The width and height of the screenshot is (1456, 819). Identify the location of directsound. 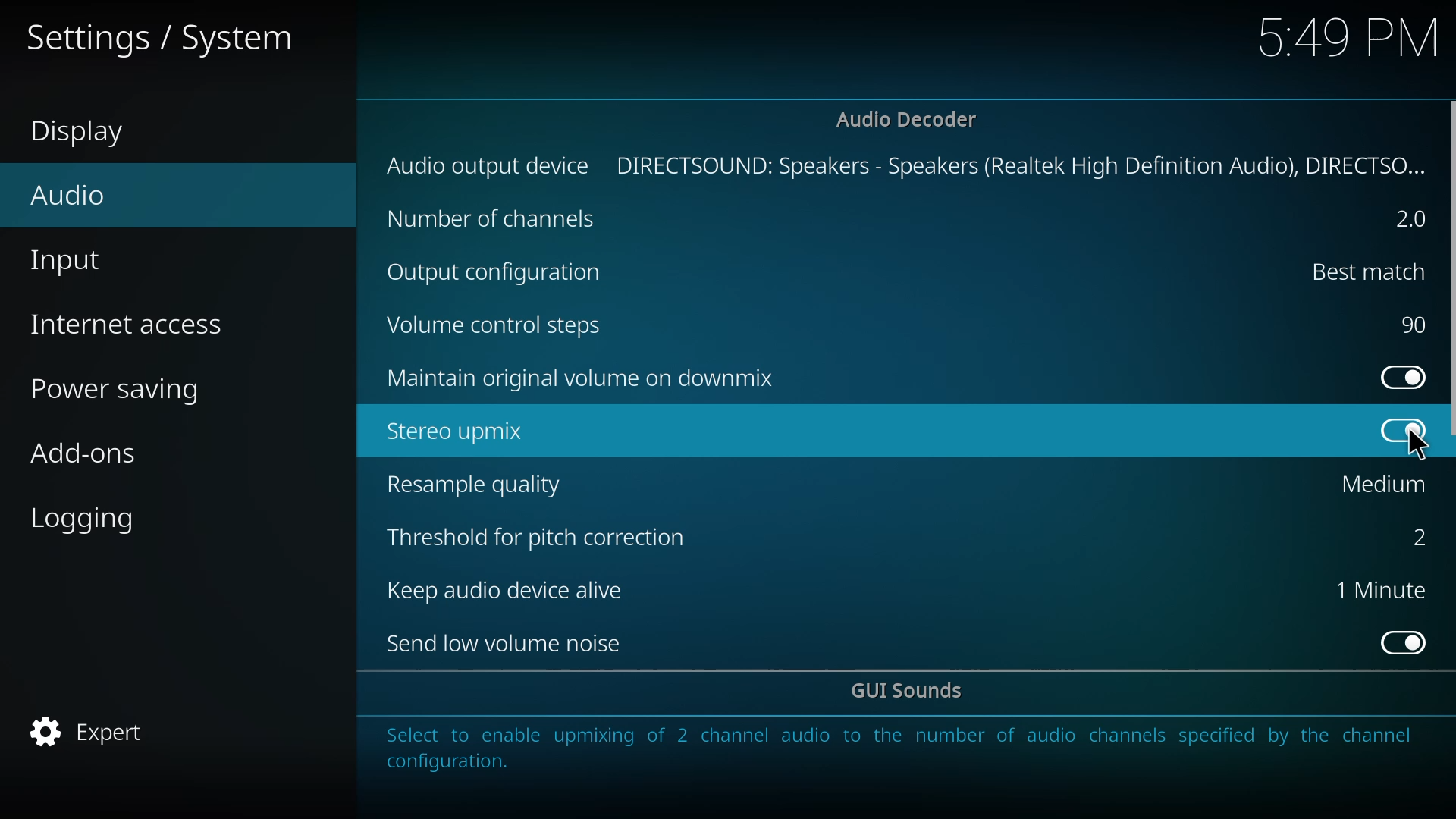
(1021, 162).